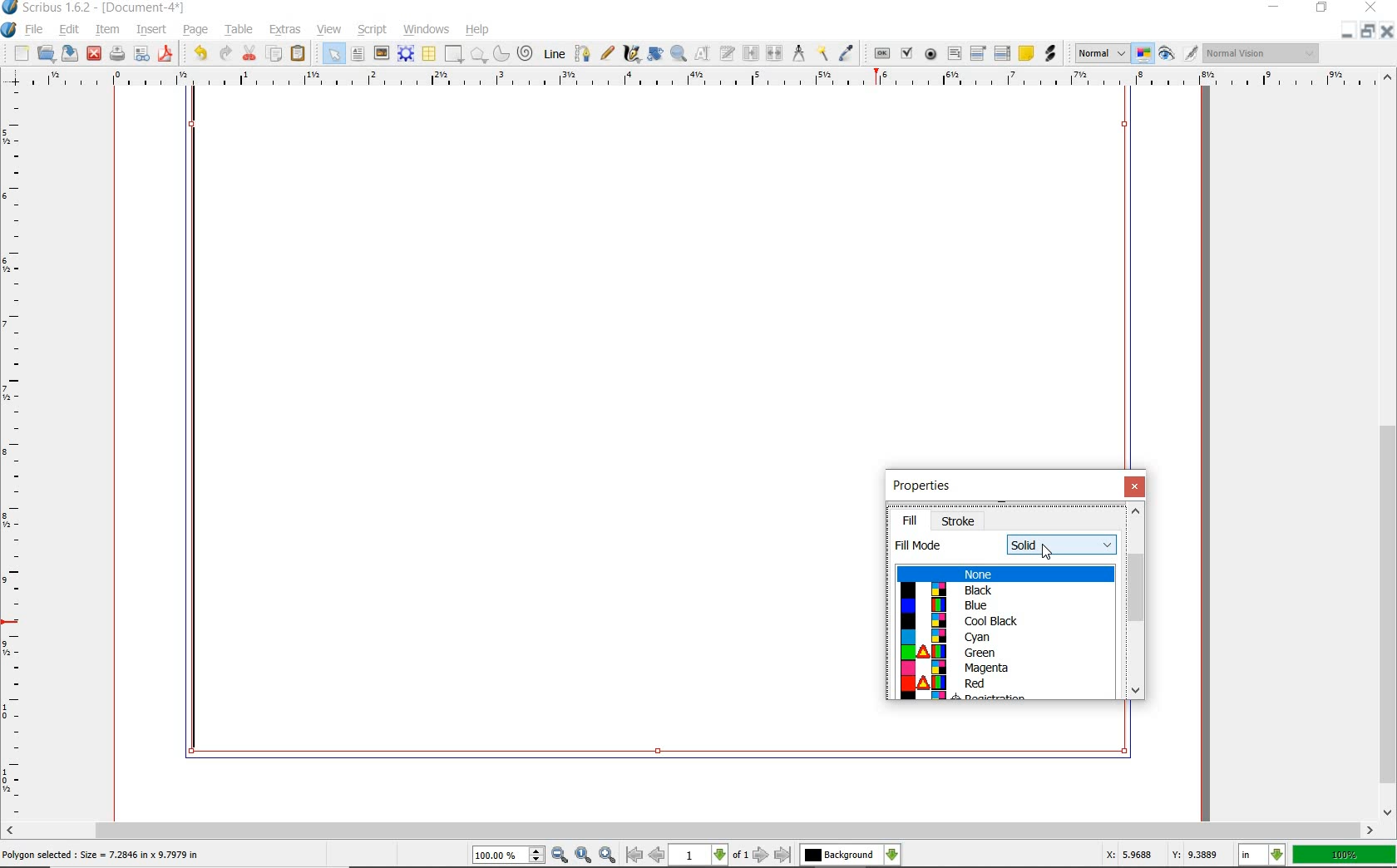 The width and height of the screenshot is (1397, 868). What do you see at coordinates (1007, 684) in the screenshot?
I see `Red` at bounding box center [1007, 684].